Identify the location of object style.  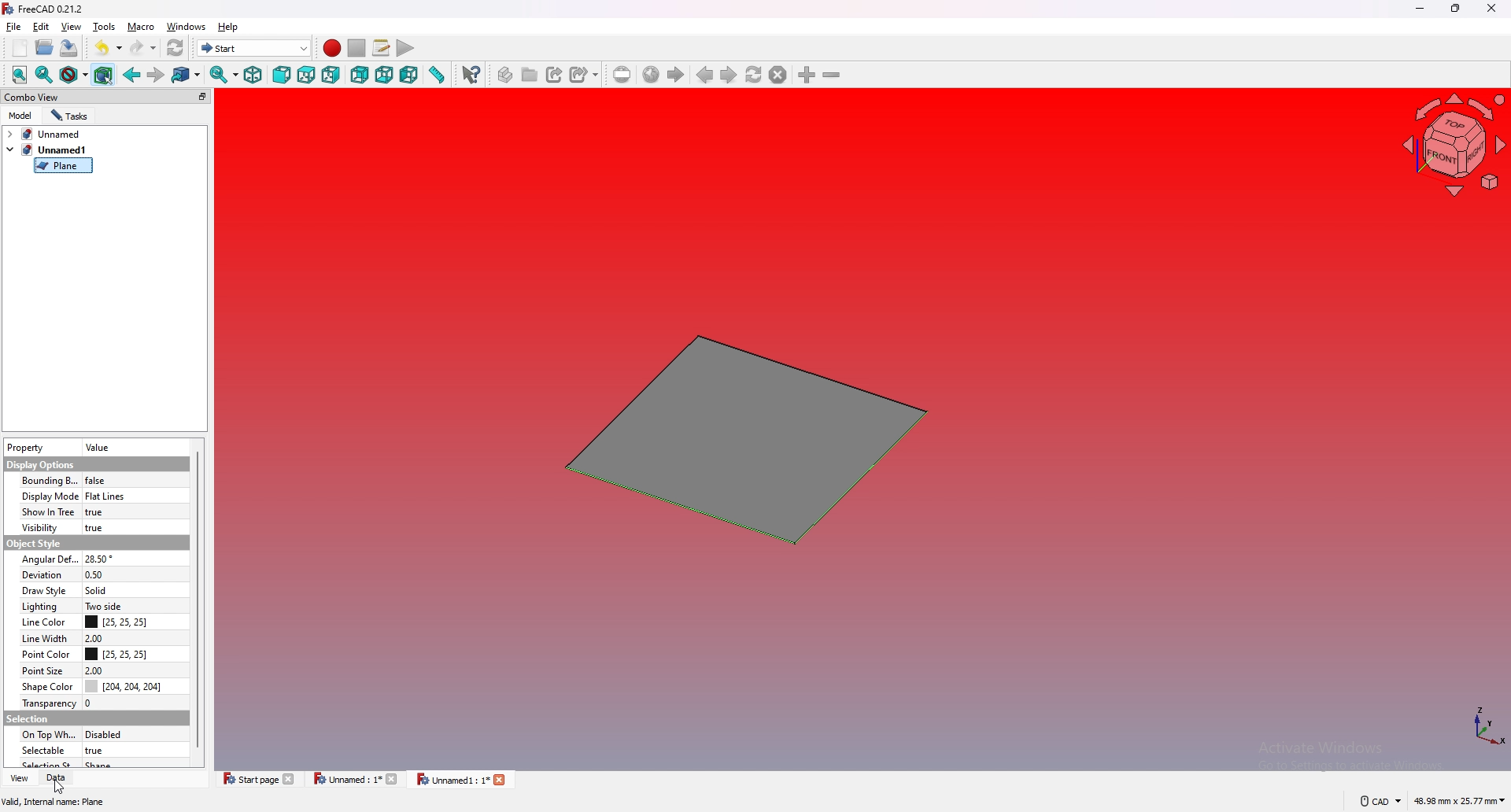
(32, 543).